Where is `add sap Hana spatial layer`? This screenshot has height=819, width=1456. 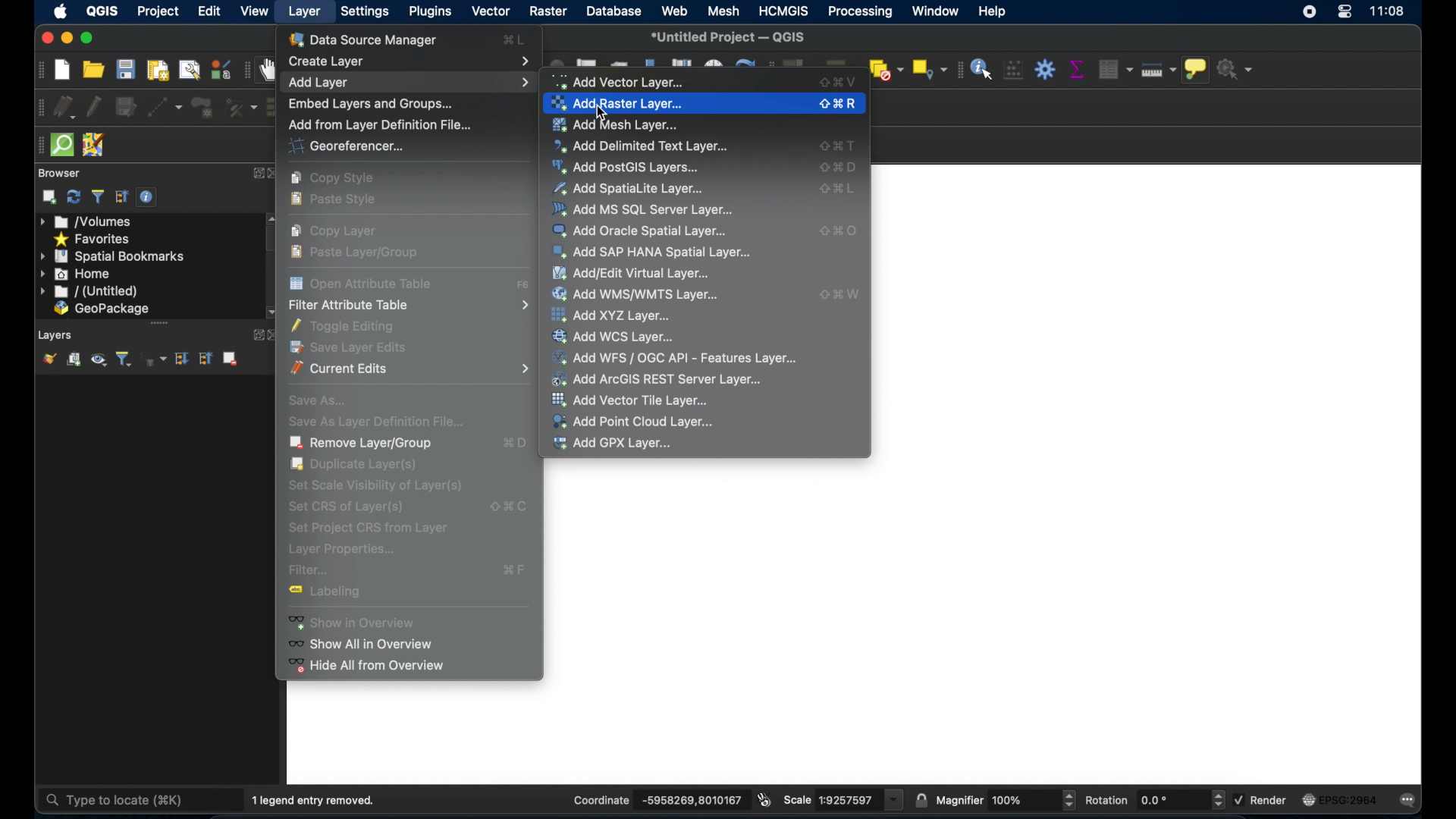 add sap Hana spatial layer is located at coordinates (652, 253).